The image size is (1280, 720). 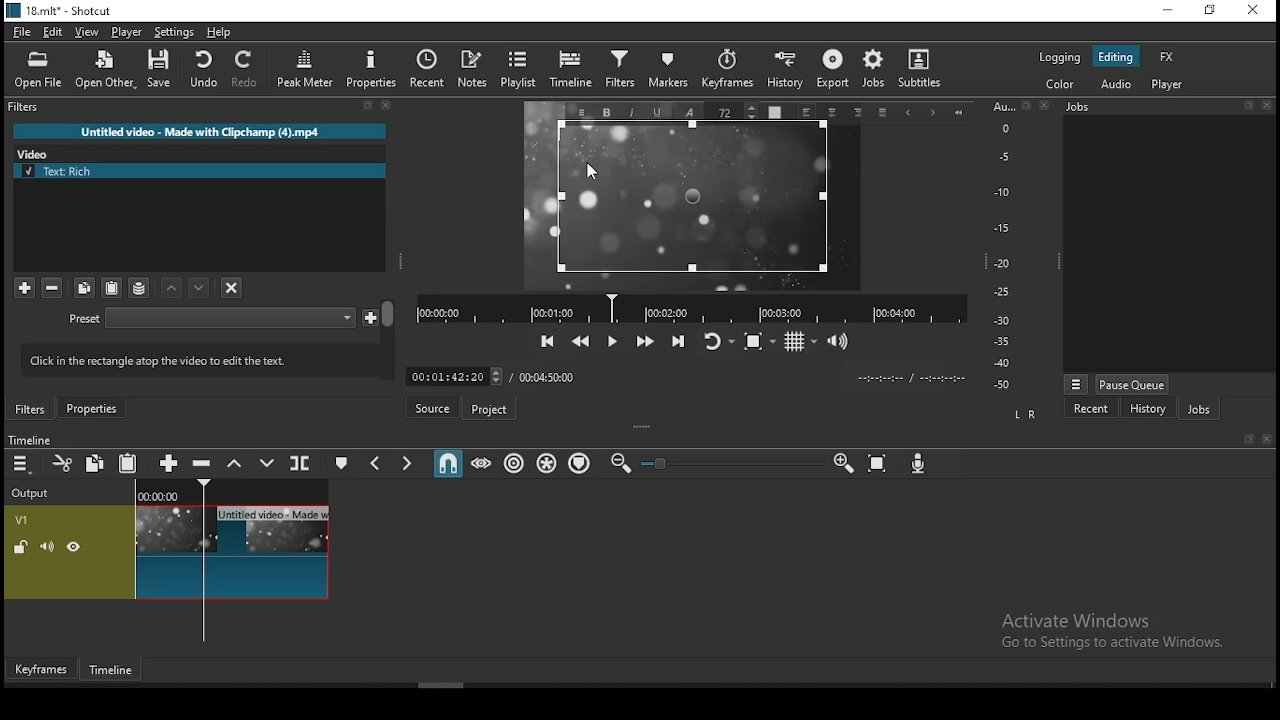 I want to click on properties, so click(x=91, y=408).